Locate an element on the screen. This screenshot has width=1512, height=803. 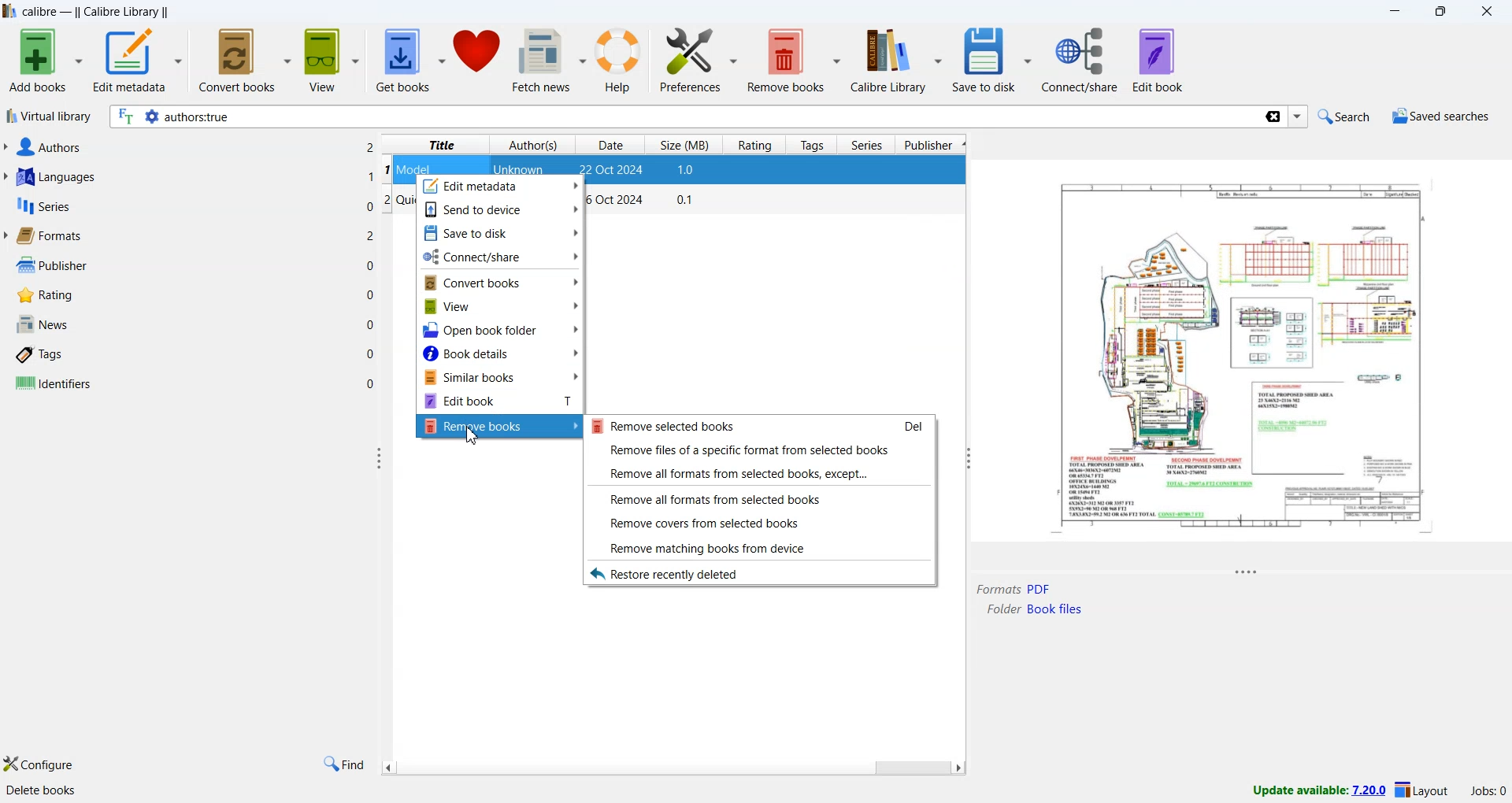
search is located at coordinates (1341, 116).